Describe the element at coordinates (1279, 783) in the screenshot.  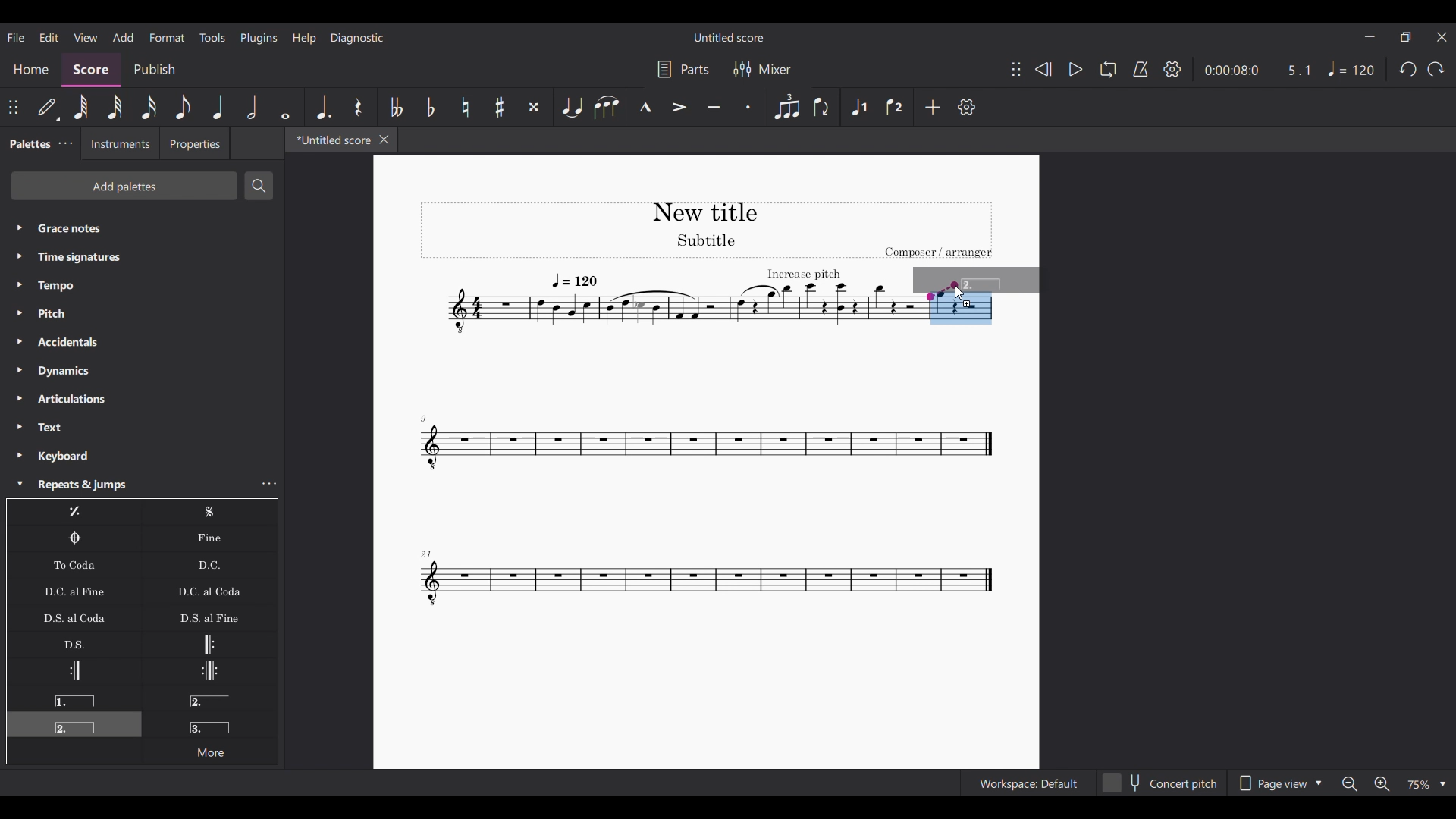
I see `Page view options` at that location.